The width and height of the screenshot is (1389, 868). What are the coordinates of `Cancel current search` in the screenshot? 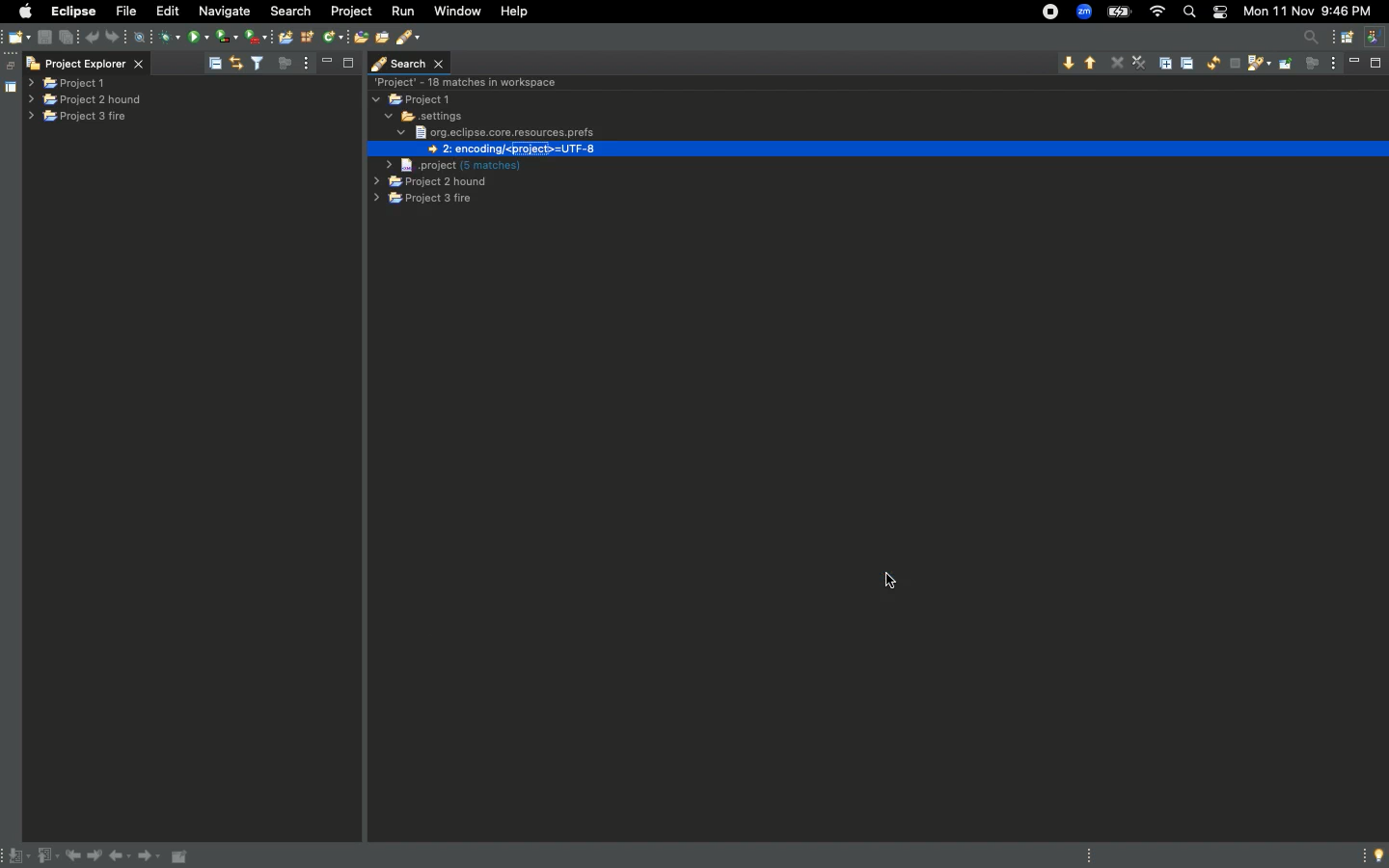 It's located at (1234, 65).